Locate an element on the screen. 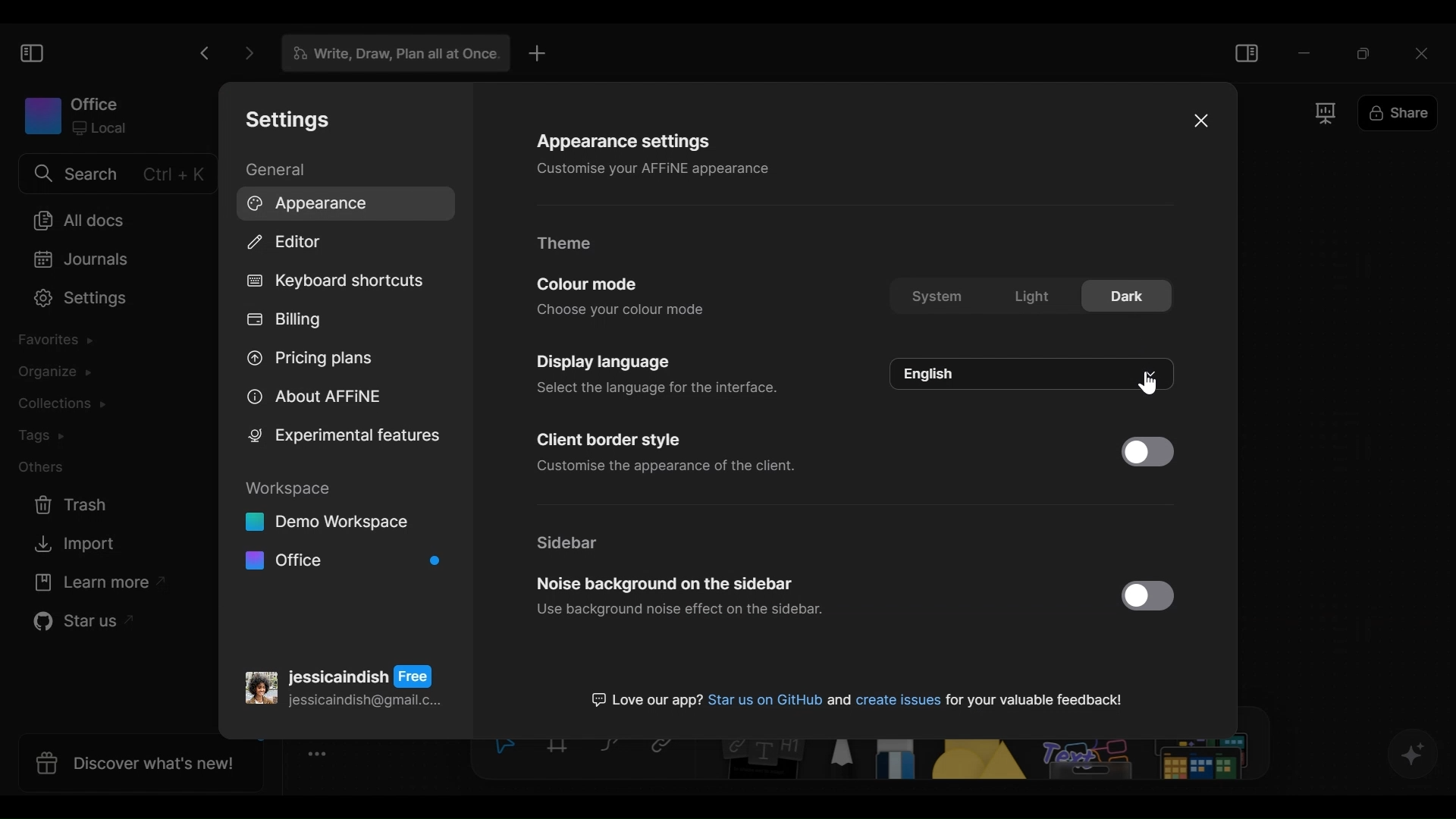 This screenshot has width=1456, height=819. Trash is located at coordinates (76, 505).